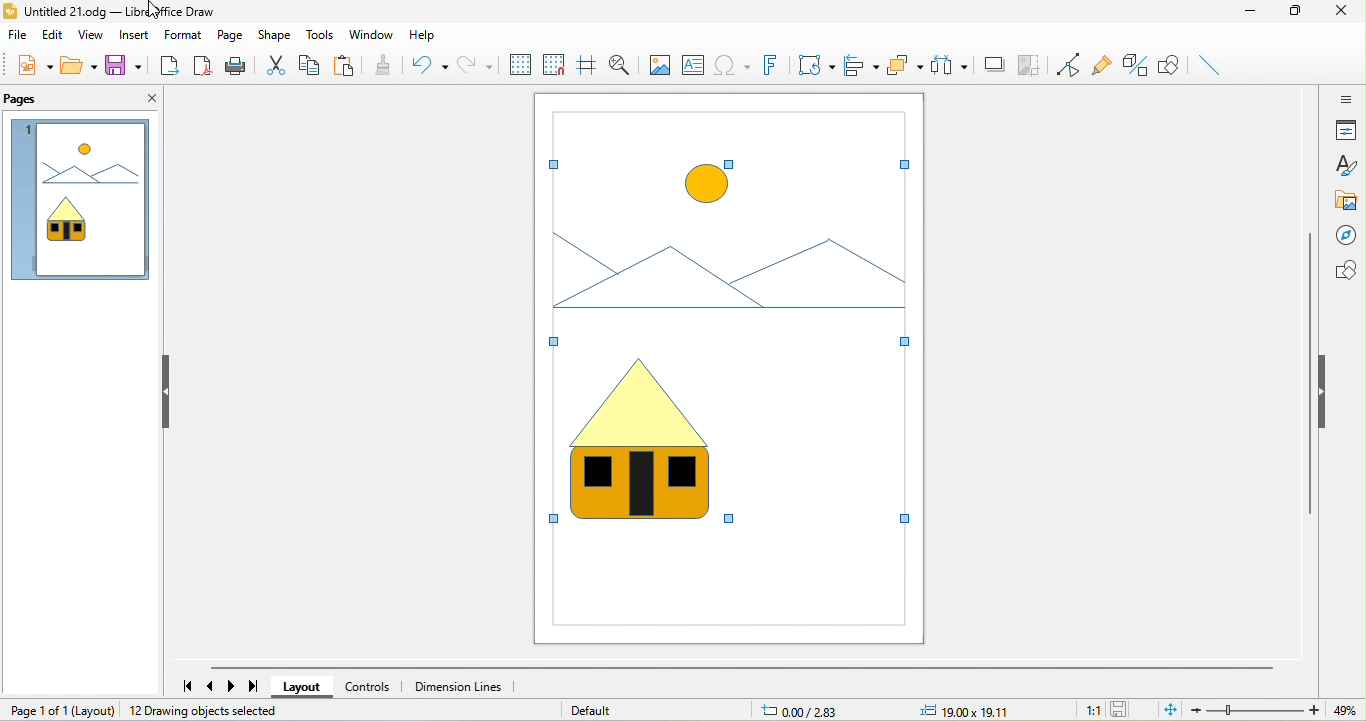  I want to click on help, so click(437, 35).